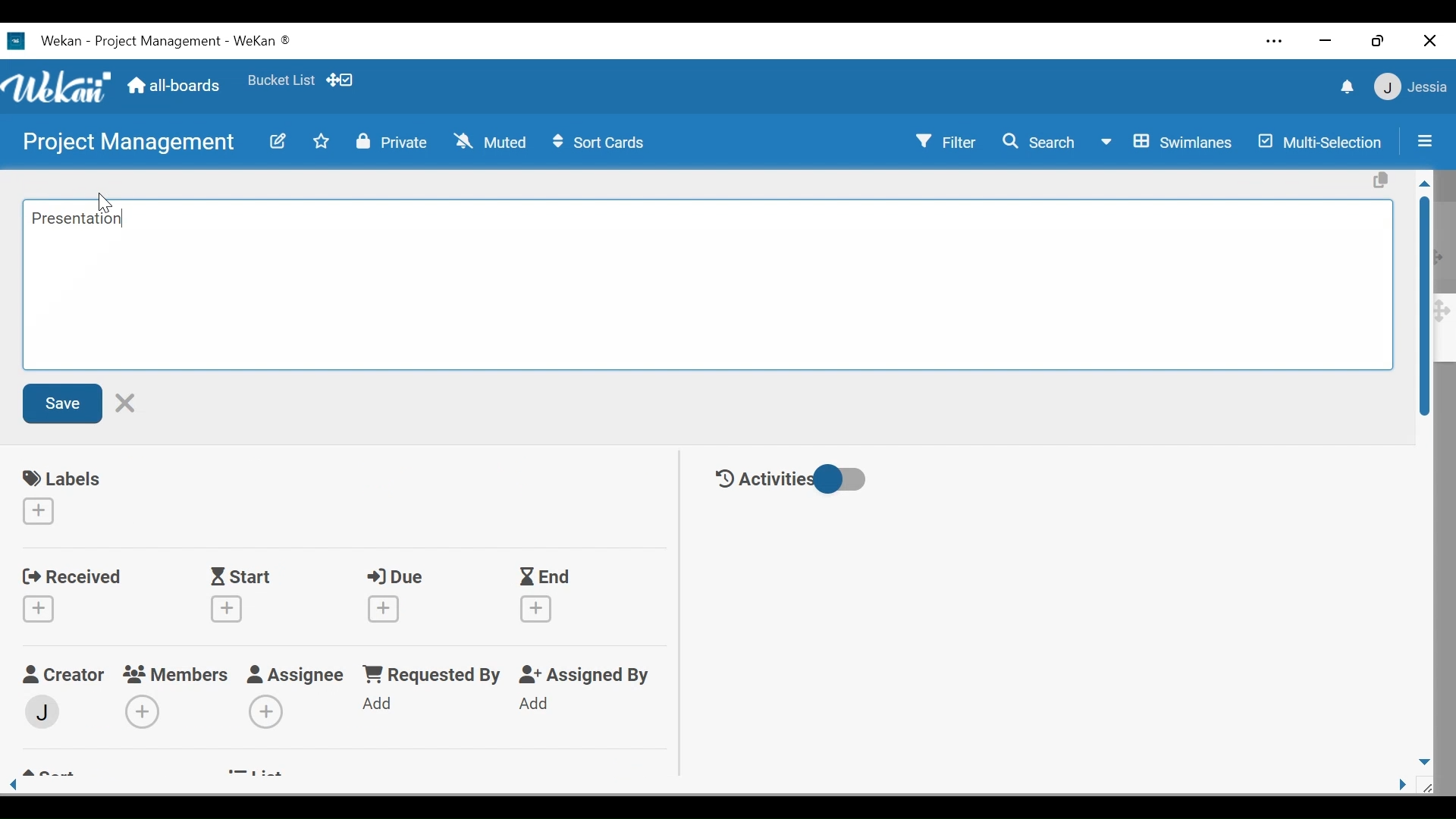 The image size is (1456, 819). What do you see at coordinates (1326, 41) in the screenshot?
I see `minimize` at bounding box center [1326, 41].